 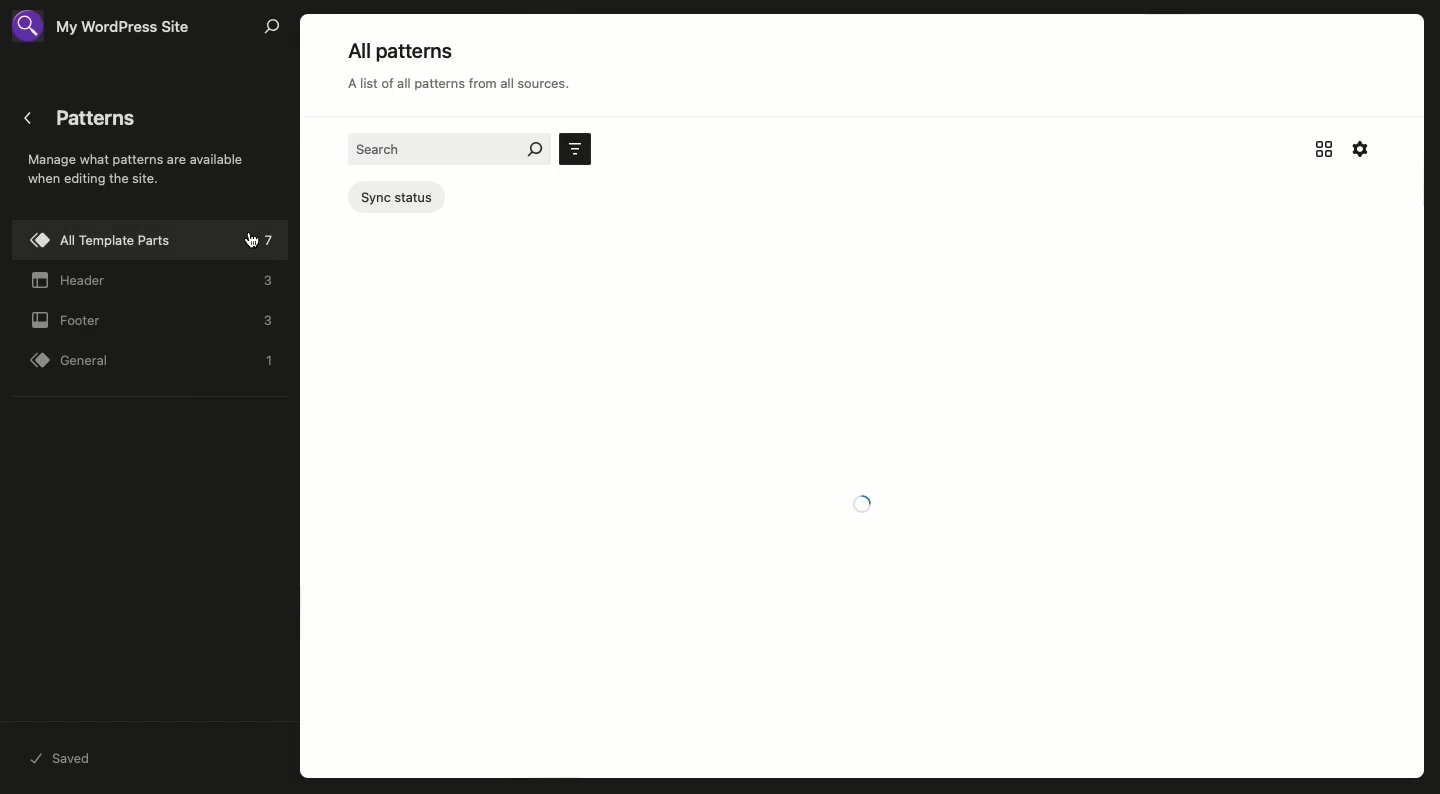 I want to click on General , so click(x=157, y=361).